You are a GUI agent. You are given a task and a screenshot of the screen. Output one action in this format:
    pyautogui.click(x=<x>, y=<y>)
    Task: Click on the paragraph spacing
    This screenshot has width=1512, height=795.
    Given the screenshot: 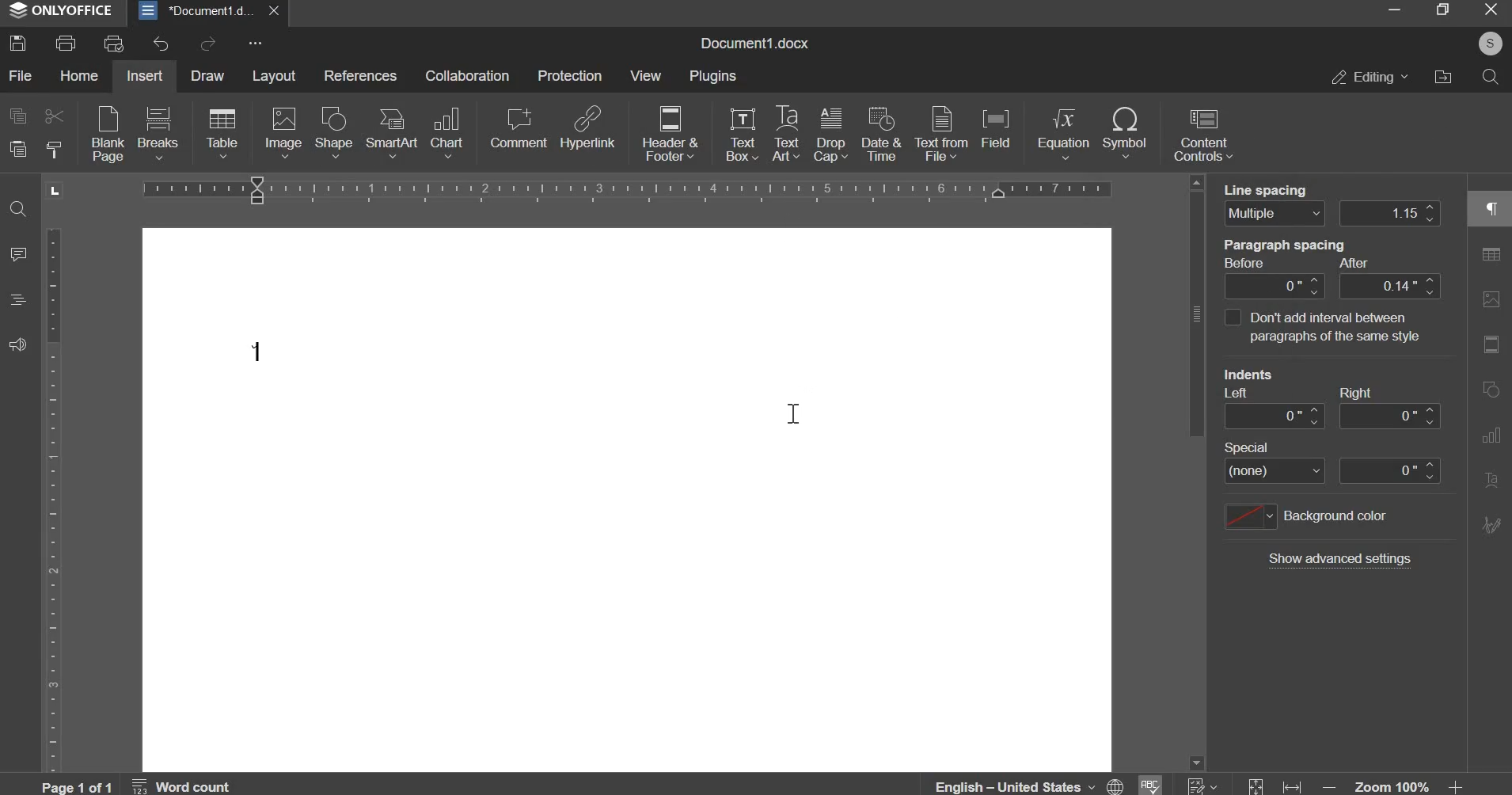 What is the action you would take?
    pyautogui.click(x=1288, y=244)
    